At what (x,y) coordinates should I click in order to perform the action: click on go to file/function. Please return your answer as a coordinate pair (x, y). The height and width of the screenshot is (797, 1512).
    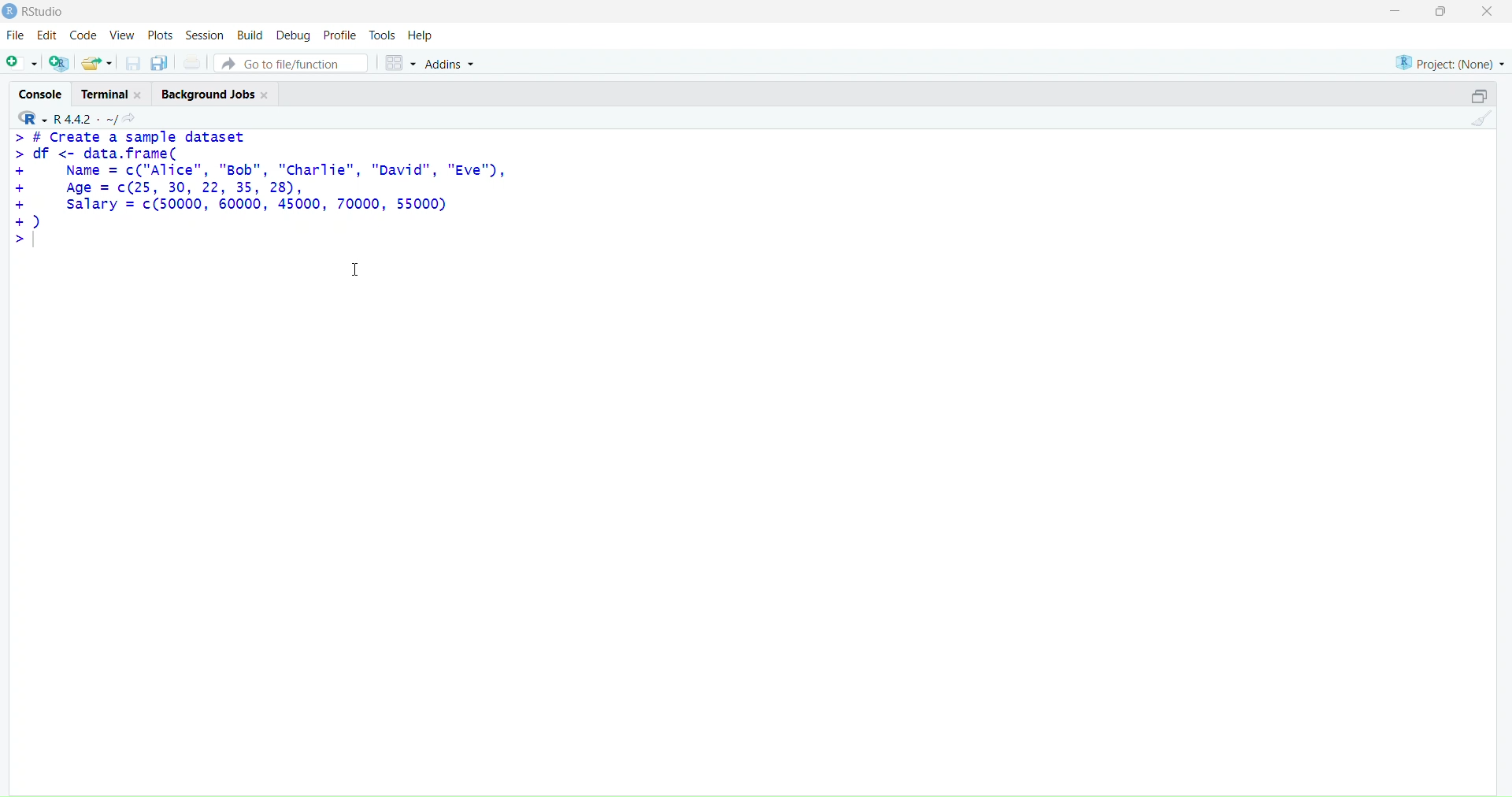
    Looking at the image, I should click on (290, 65).